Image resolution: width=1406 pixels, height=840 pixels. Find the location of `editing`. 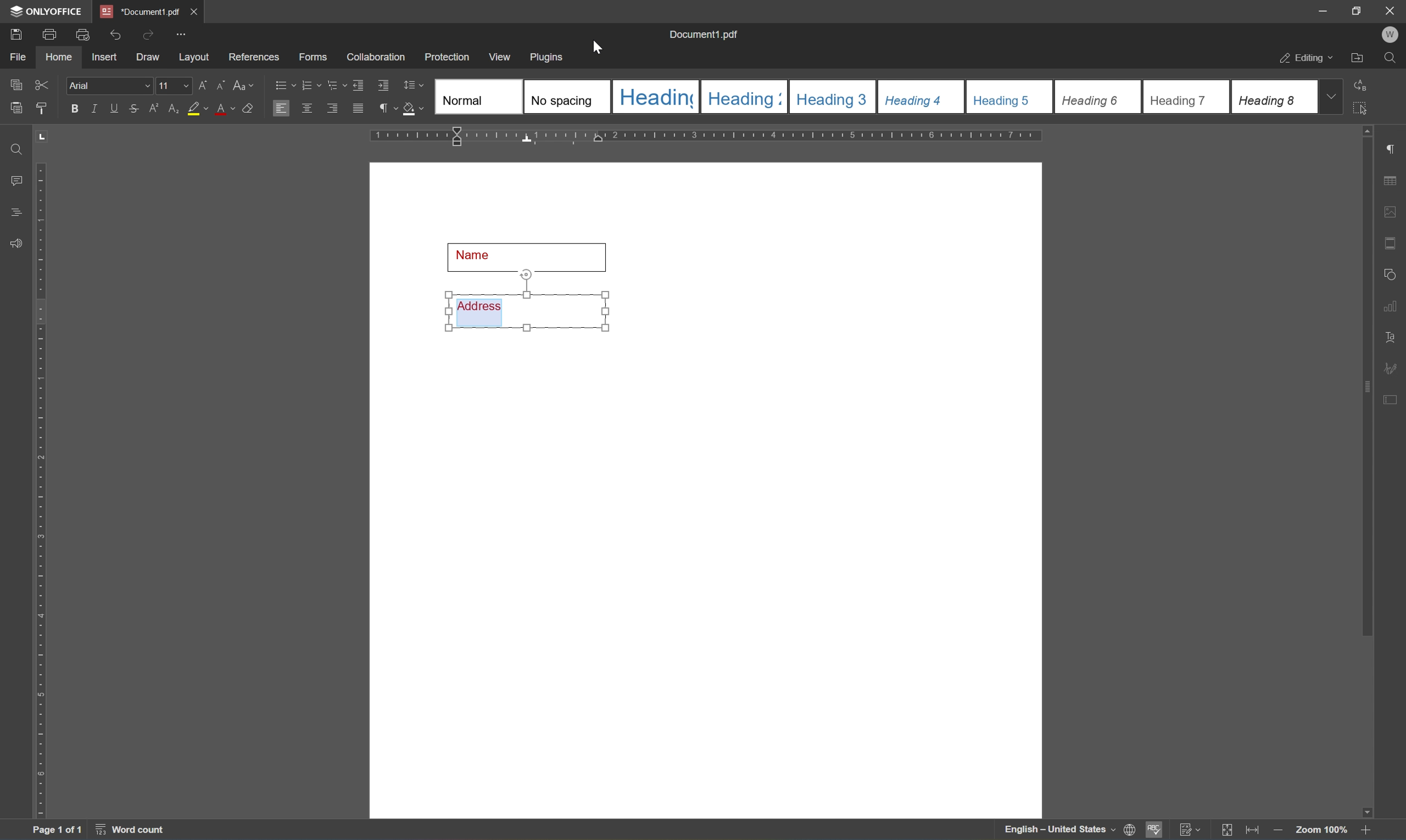

editing is located at coordinates (1302, 59).